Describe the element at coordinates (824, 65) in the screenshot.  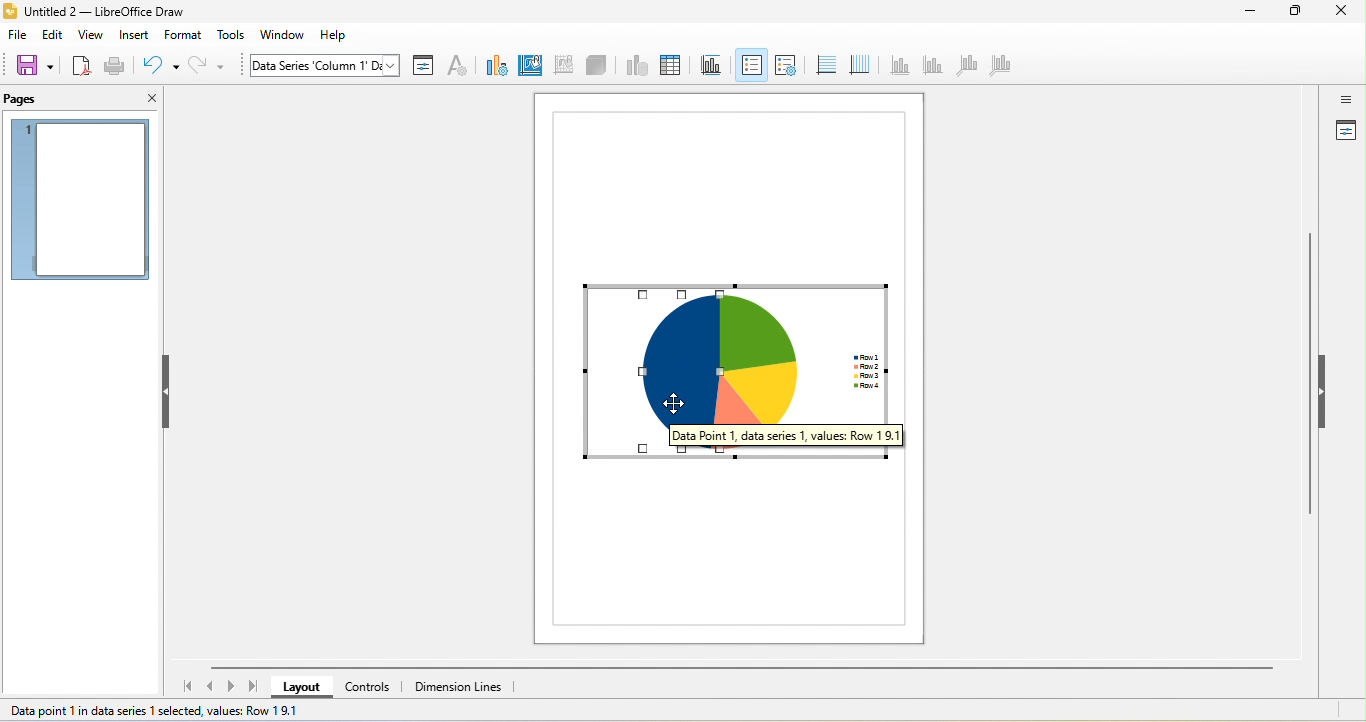
I see `horizontal grid` at that location.